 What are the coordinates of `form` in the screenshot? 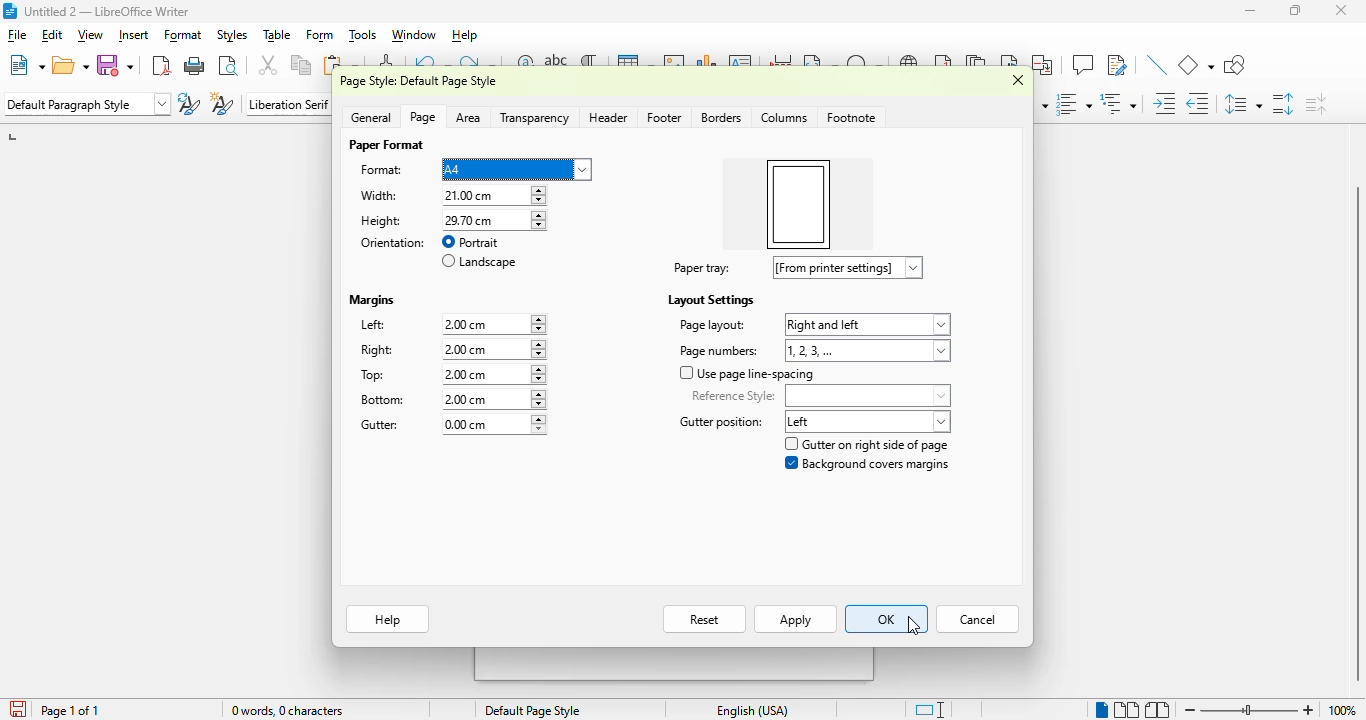 It's located at (319, 35).